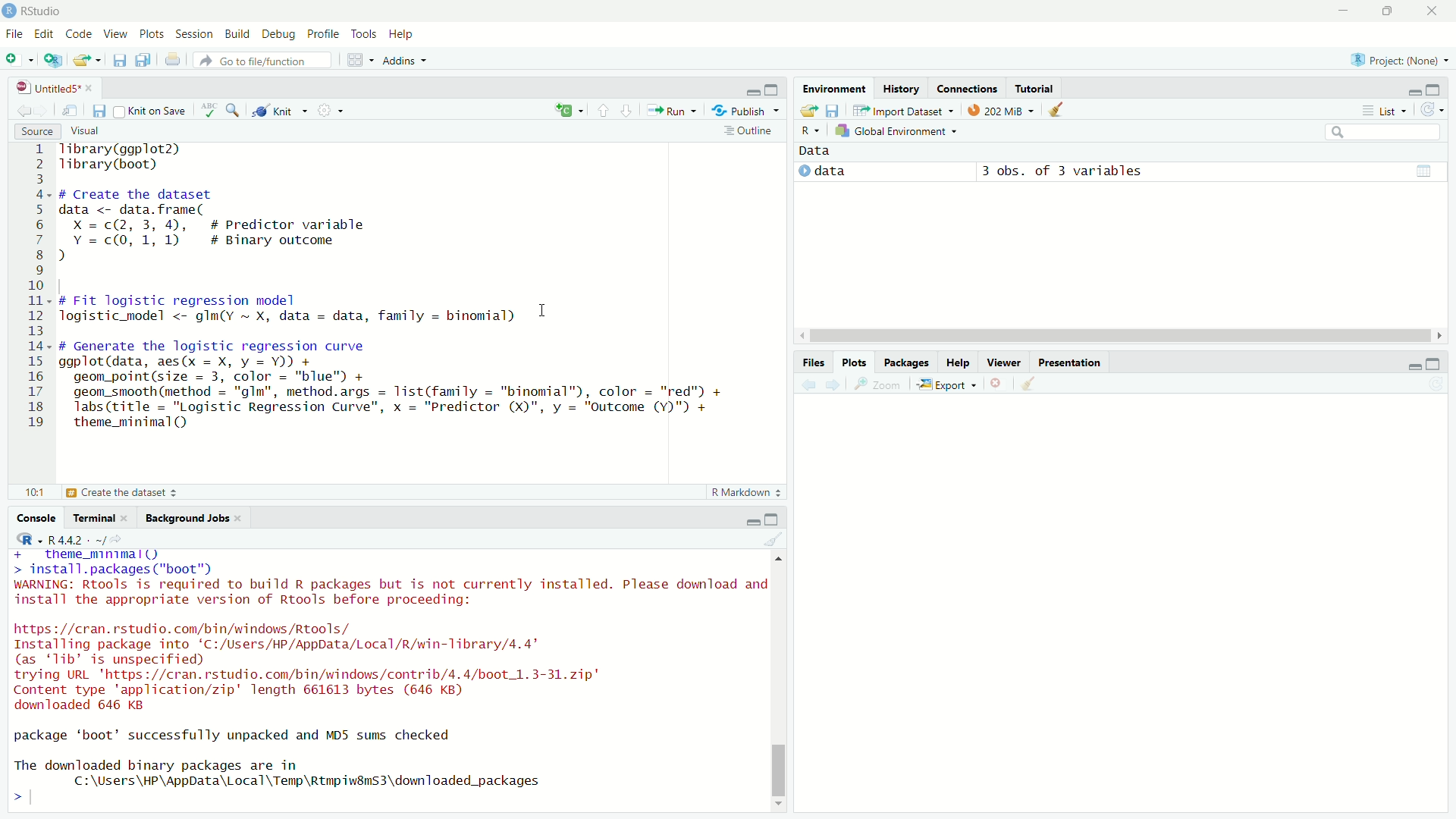 The width and height of the screenshot is (1456, 819). Describe the element at coordinates (98, 61) in the screenshot. I see `Open recent files` at that location.